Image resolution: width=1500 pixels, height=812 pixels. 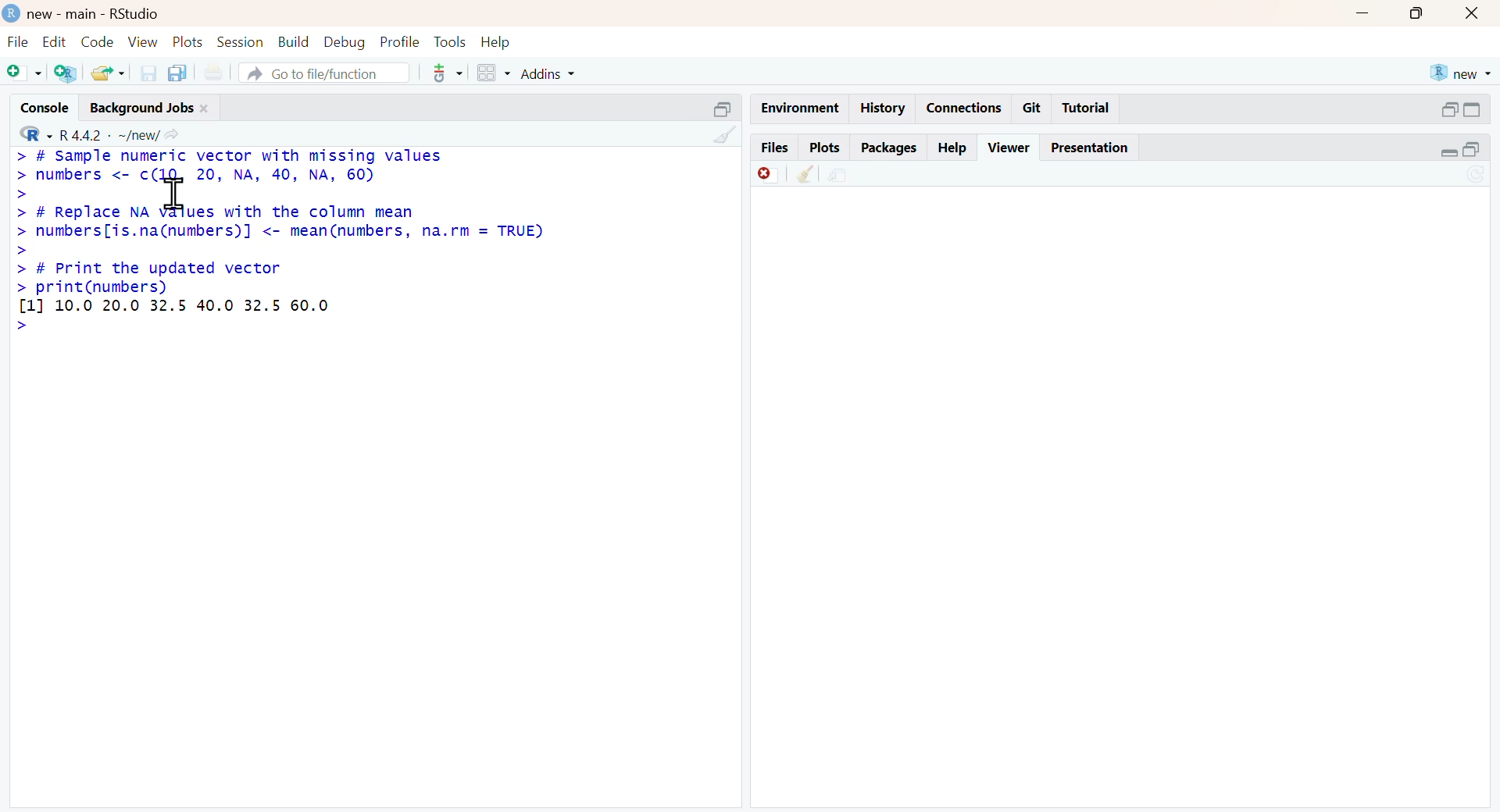 What do you see at coordinates (55, 41) in the screenshot?
I see `edit` at bounding box center [55, 41].